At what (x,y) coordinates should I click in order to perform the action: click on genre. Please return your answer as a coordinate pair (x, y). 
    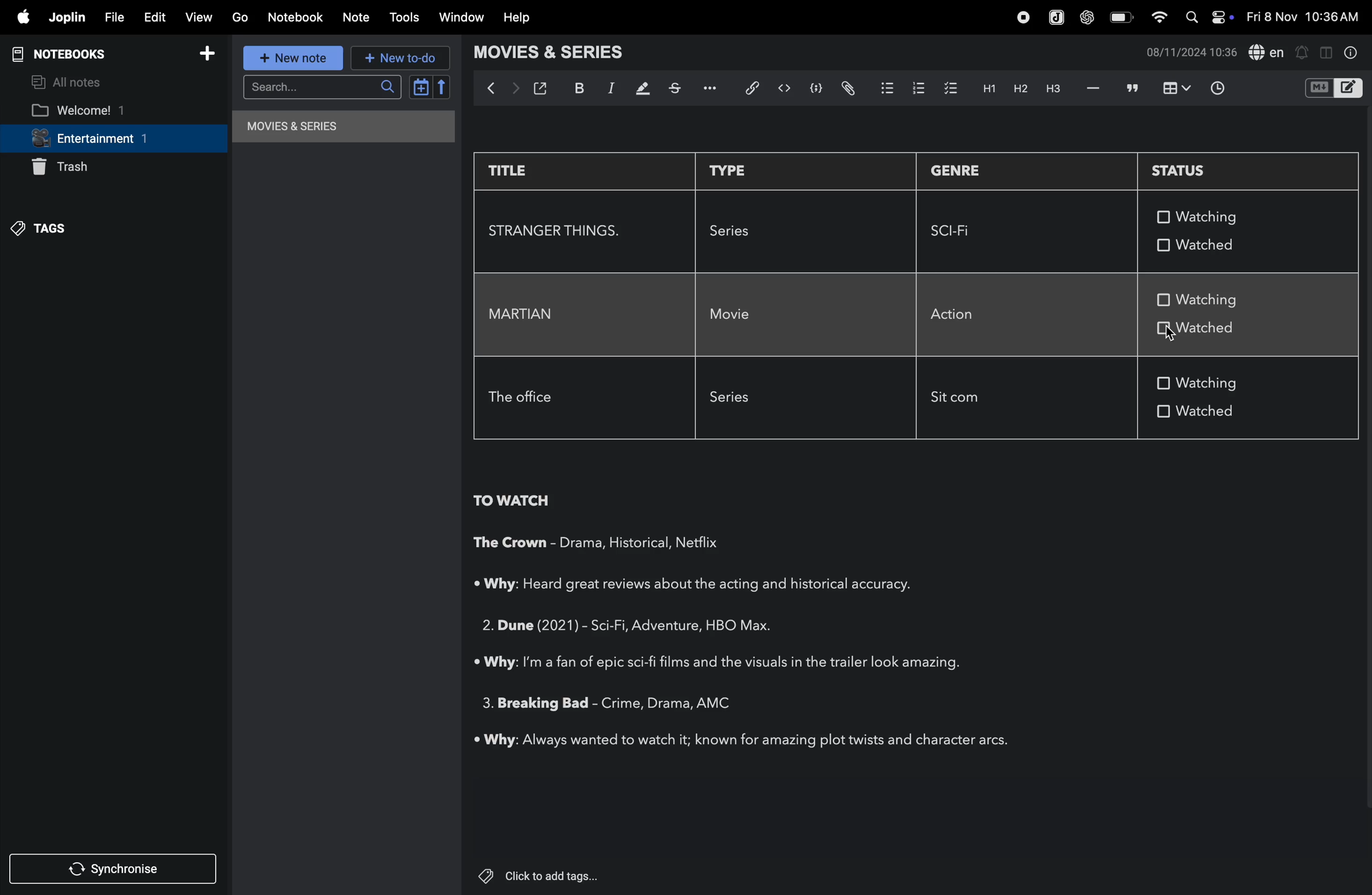
    Looking at the image, I should click on (612, 543).